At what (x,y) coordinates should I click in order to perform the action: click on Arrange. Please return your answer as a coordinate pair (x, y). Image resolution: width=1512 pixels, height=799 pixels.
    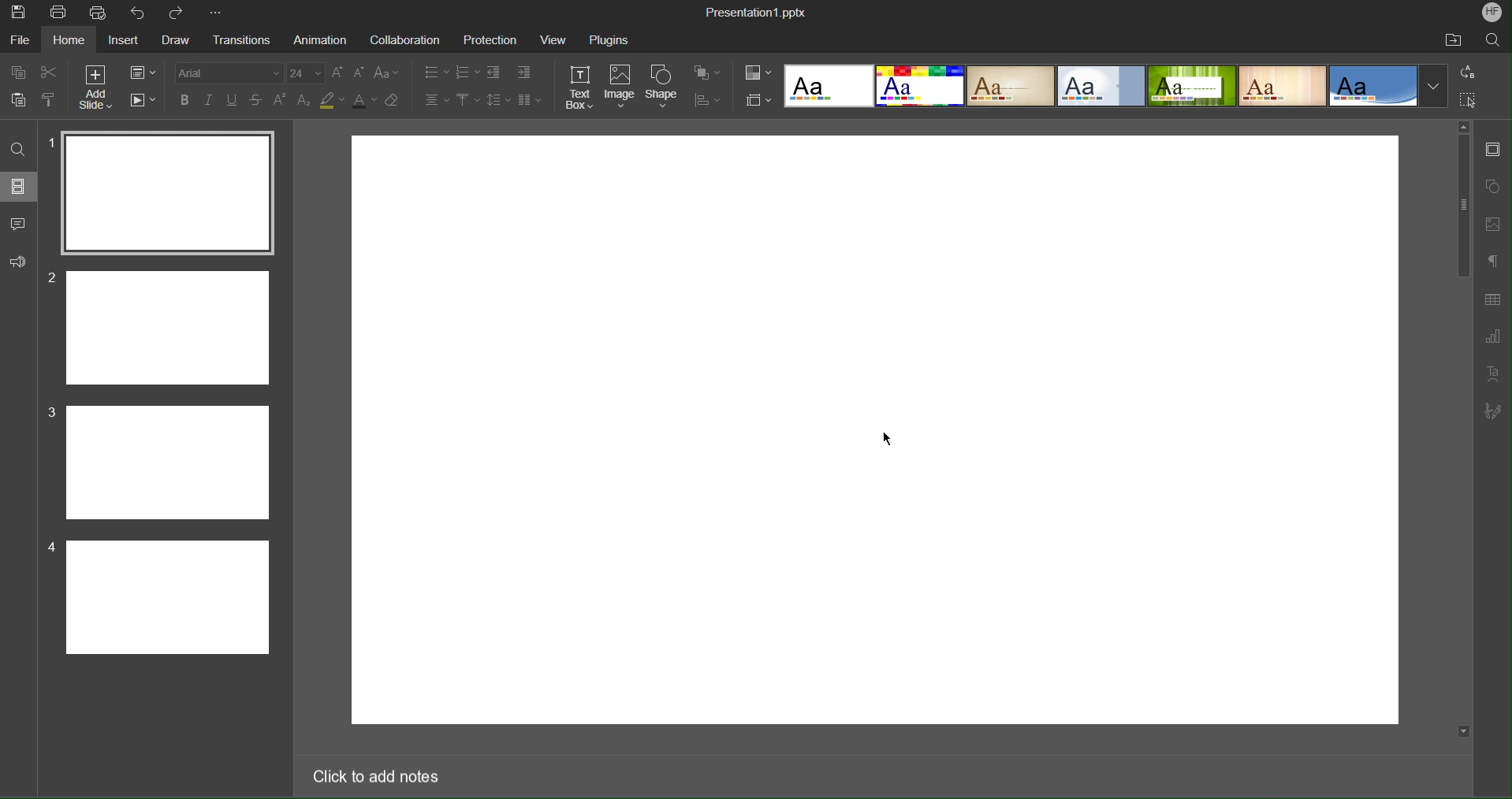
    Looking at the image, I should click on (706, 72).